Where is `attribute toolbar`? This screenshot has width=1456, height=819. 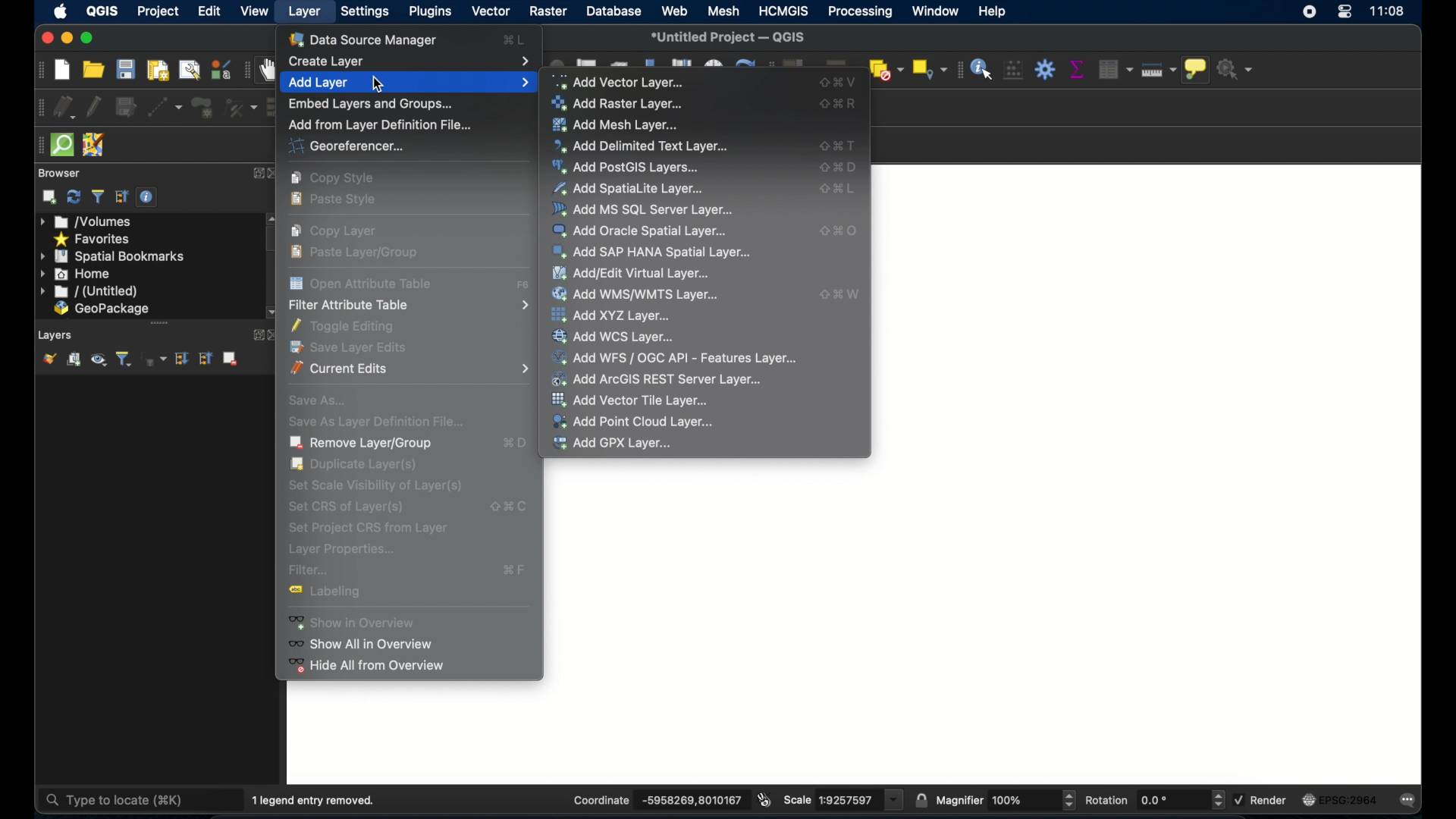
attribute toolbar is located at coordinates (957, 70).